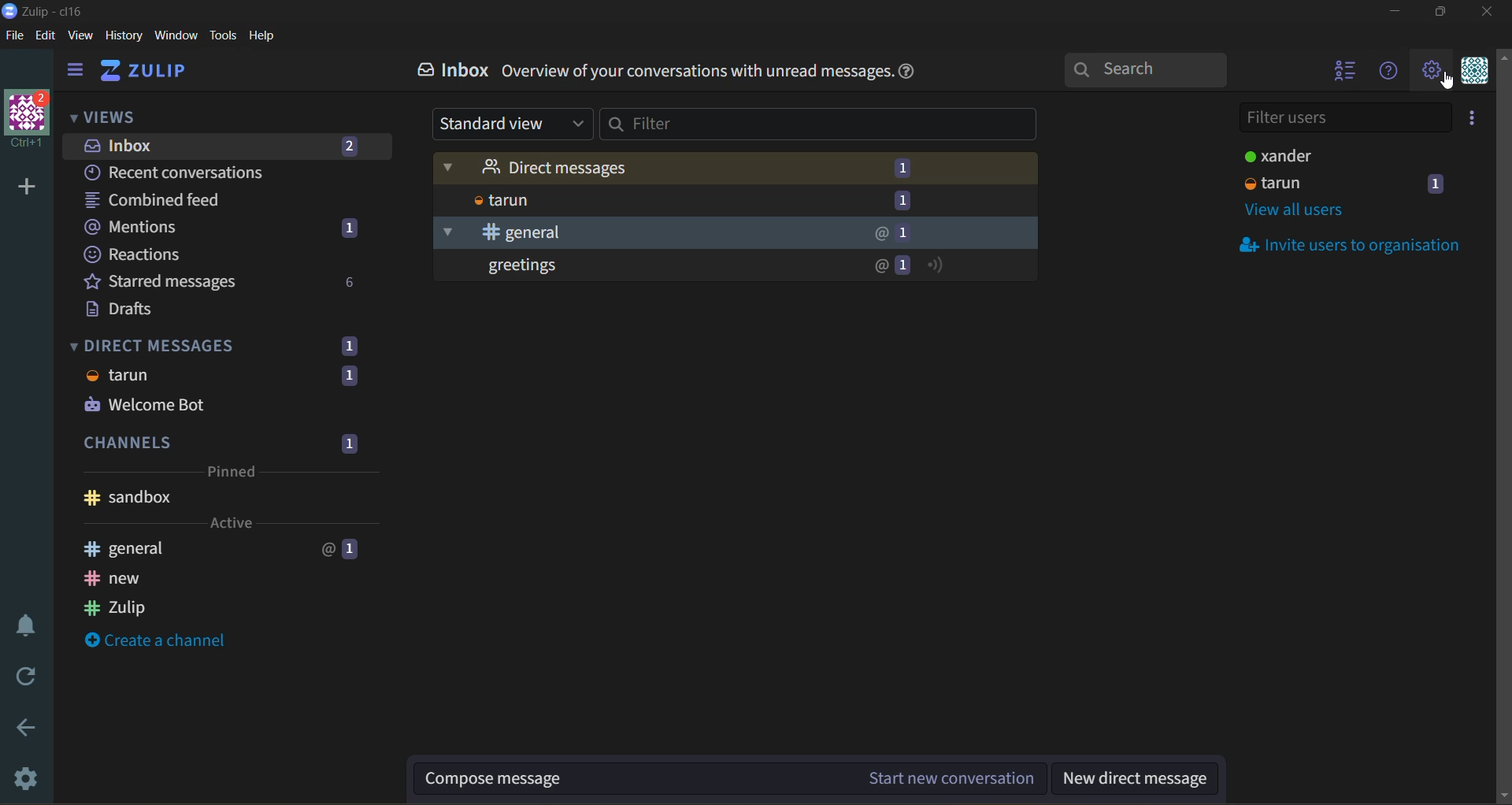  Describe the element at coordinates (711, 72) in the screenshot. I see `info` at that location.